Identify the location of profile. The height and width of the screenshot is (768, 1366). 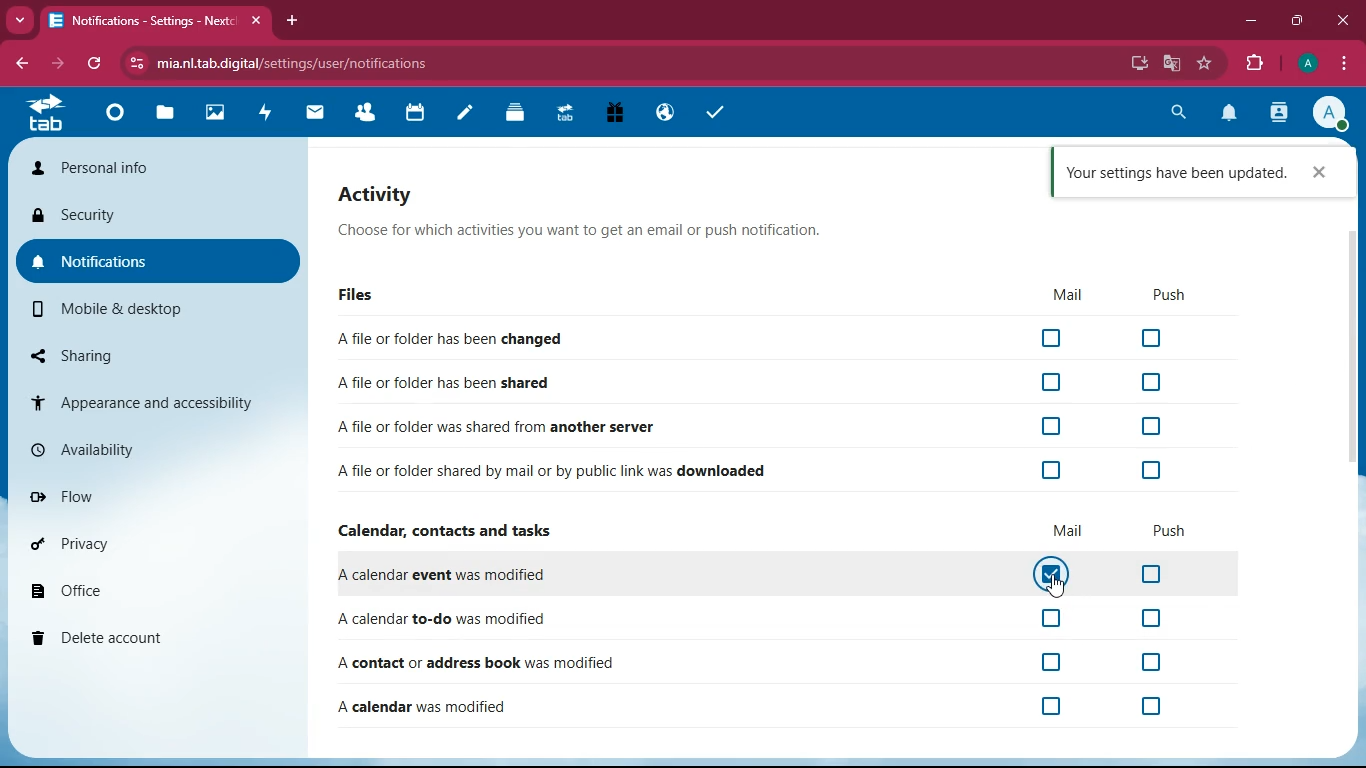
(1308, 64).